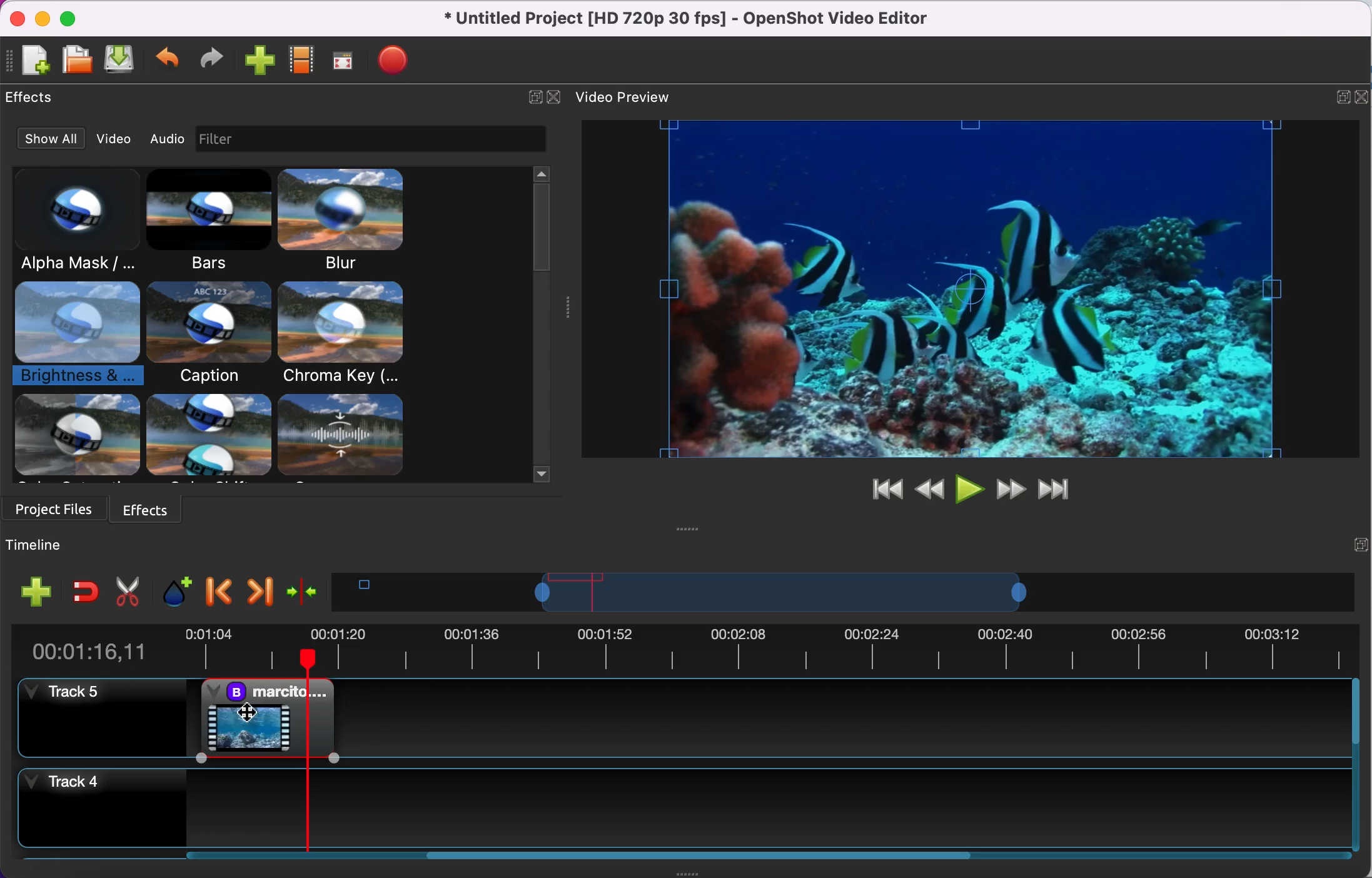 Image resolution: width=1372 pixels, height=878 pixels. I want to click on fullscreen, so click(341, 63).